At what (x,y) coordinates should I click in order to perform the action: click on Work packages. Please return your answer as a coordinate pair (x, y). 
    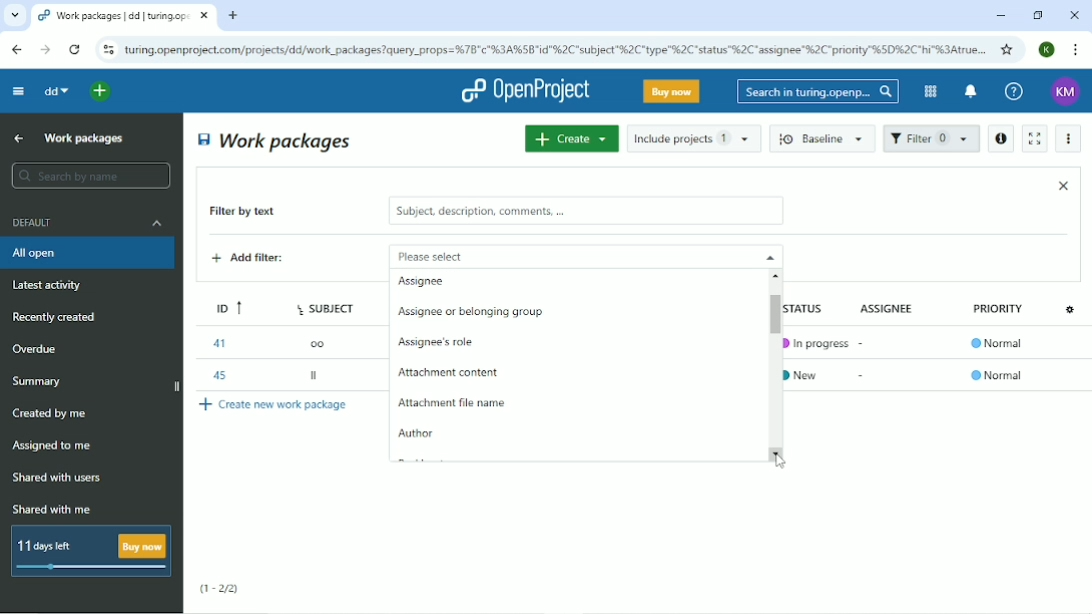
    Looking at the image, I should click on (276, 140).